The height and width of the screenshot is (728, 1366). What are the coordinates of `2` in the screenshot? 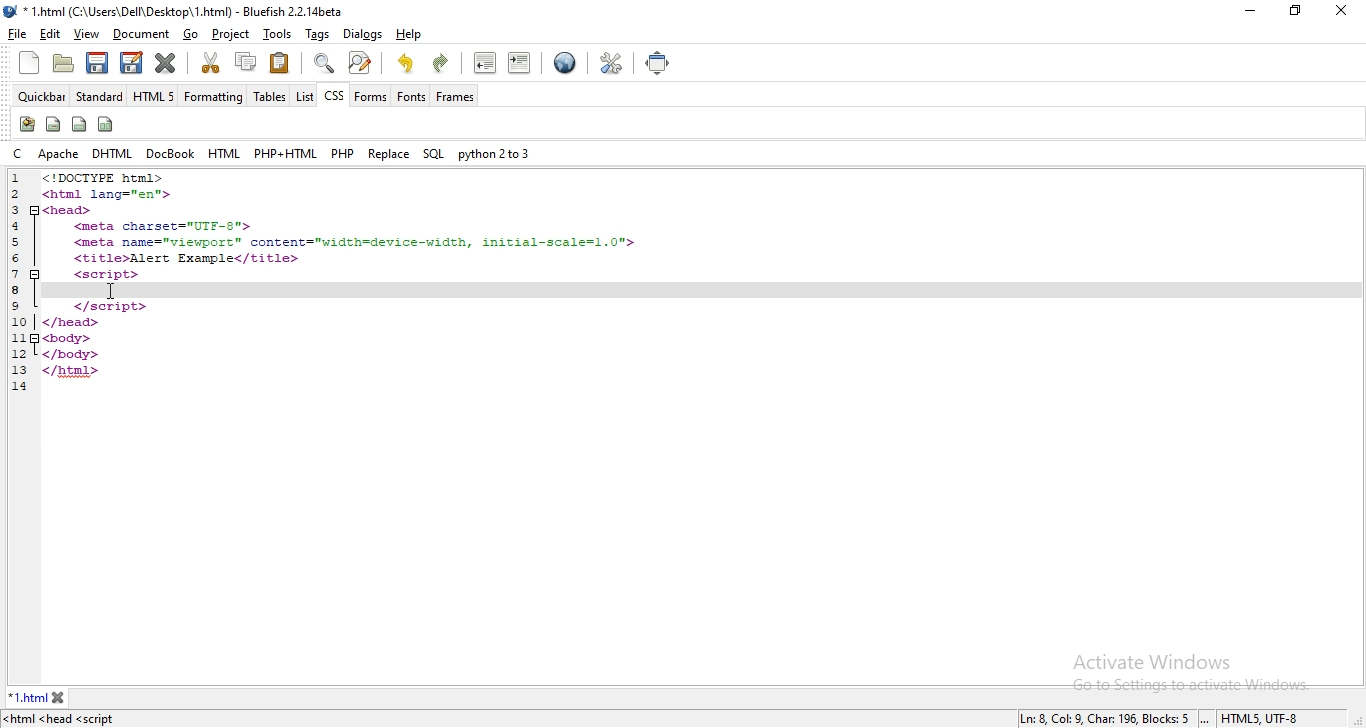 It's located at (21, 194).